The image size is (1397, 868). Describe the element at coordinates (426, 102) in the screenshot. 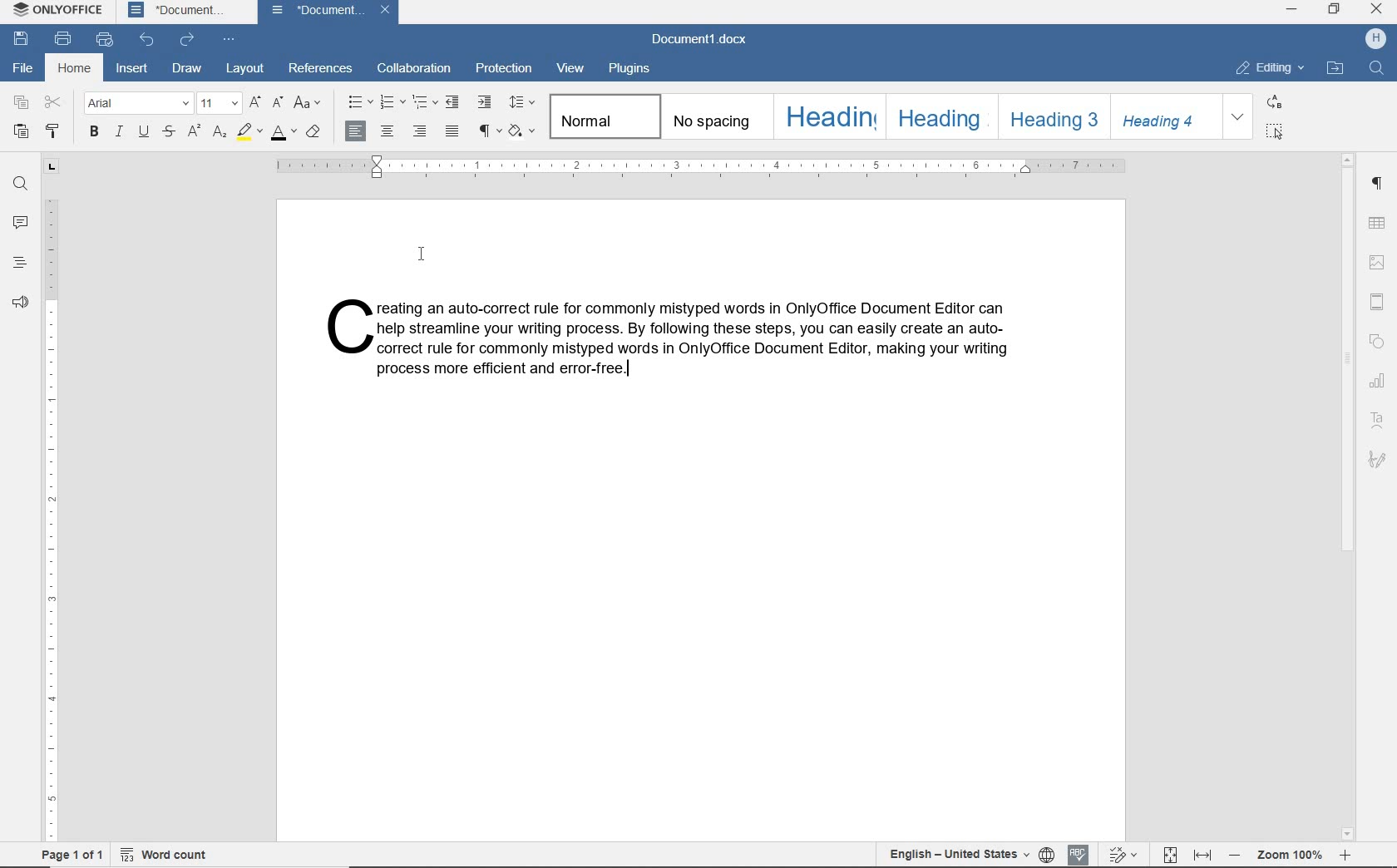

I see `MULTILEVEL LIST` at that location.